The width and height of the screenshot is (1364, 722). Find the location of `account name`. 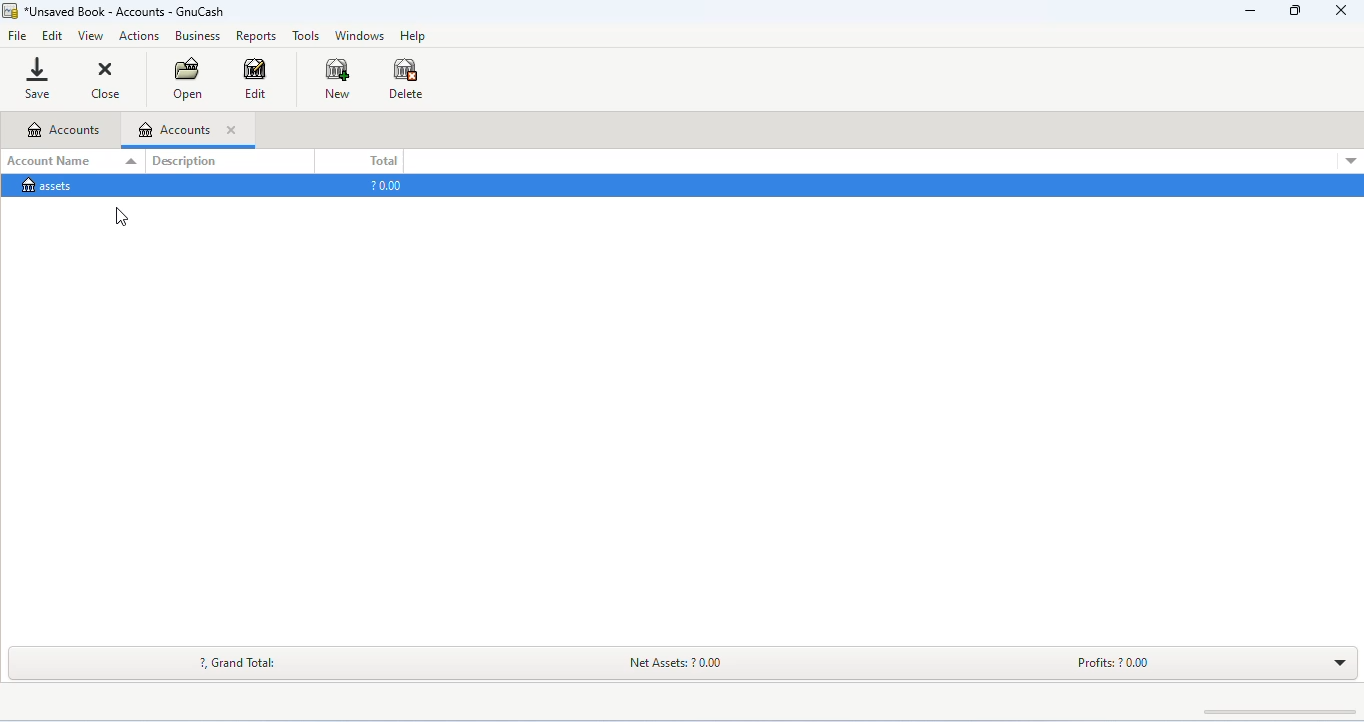

account name is located at coordinates (52, 164).